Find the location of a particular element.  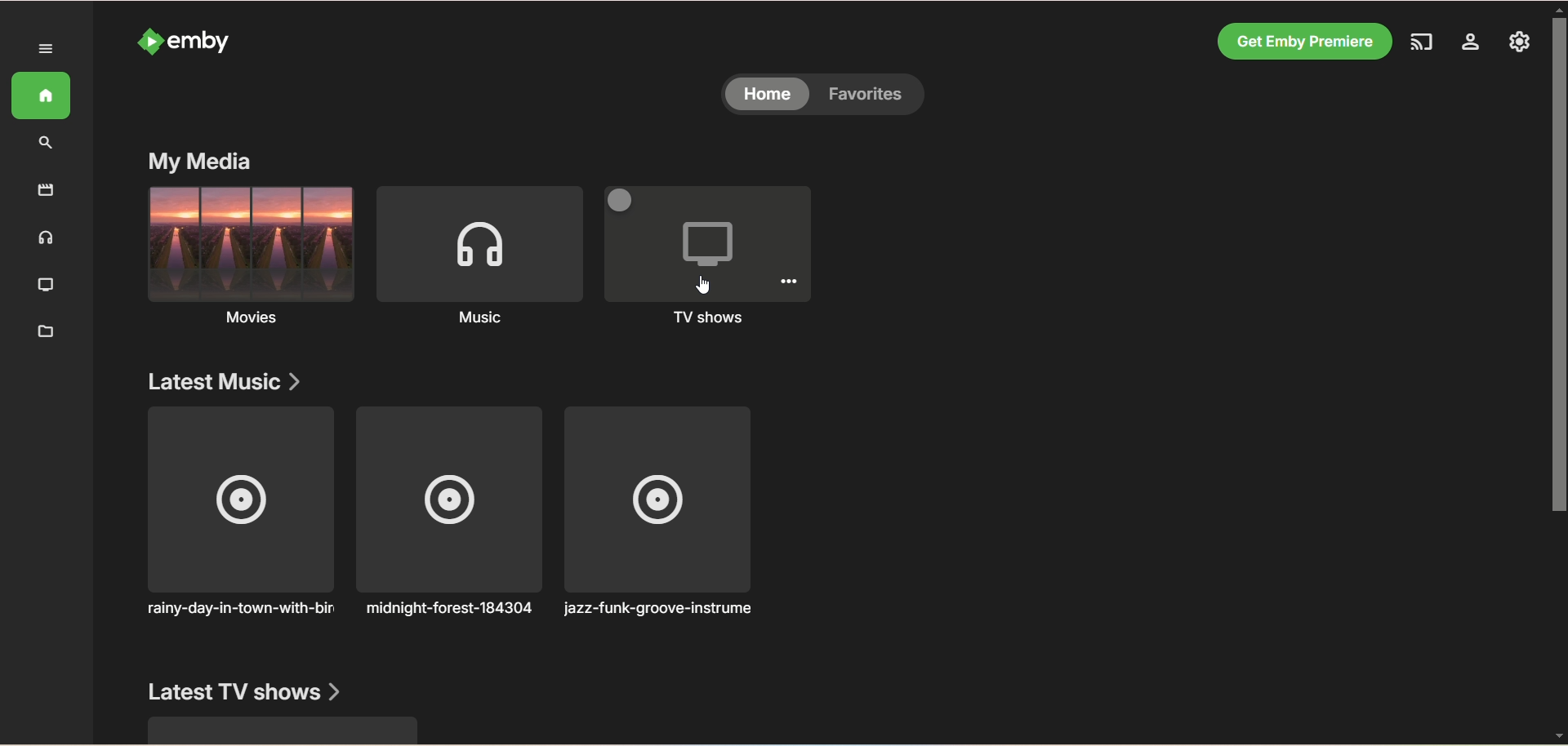

My media is located at coordinates (202, 162).